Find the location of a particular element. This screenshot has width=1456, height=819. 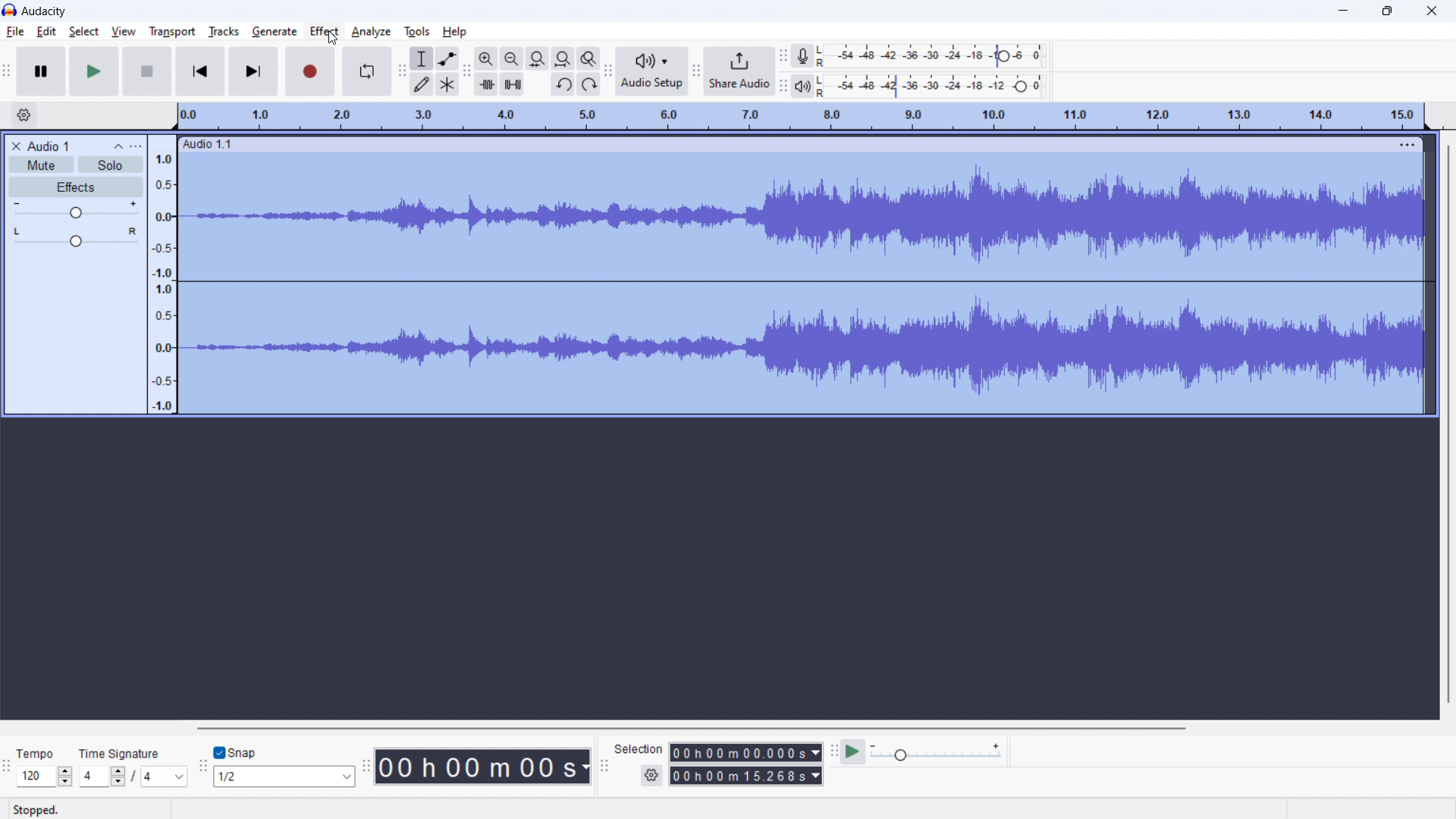

redo is located at coordinates (588, 84).